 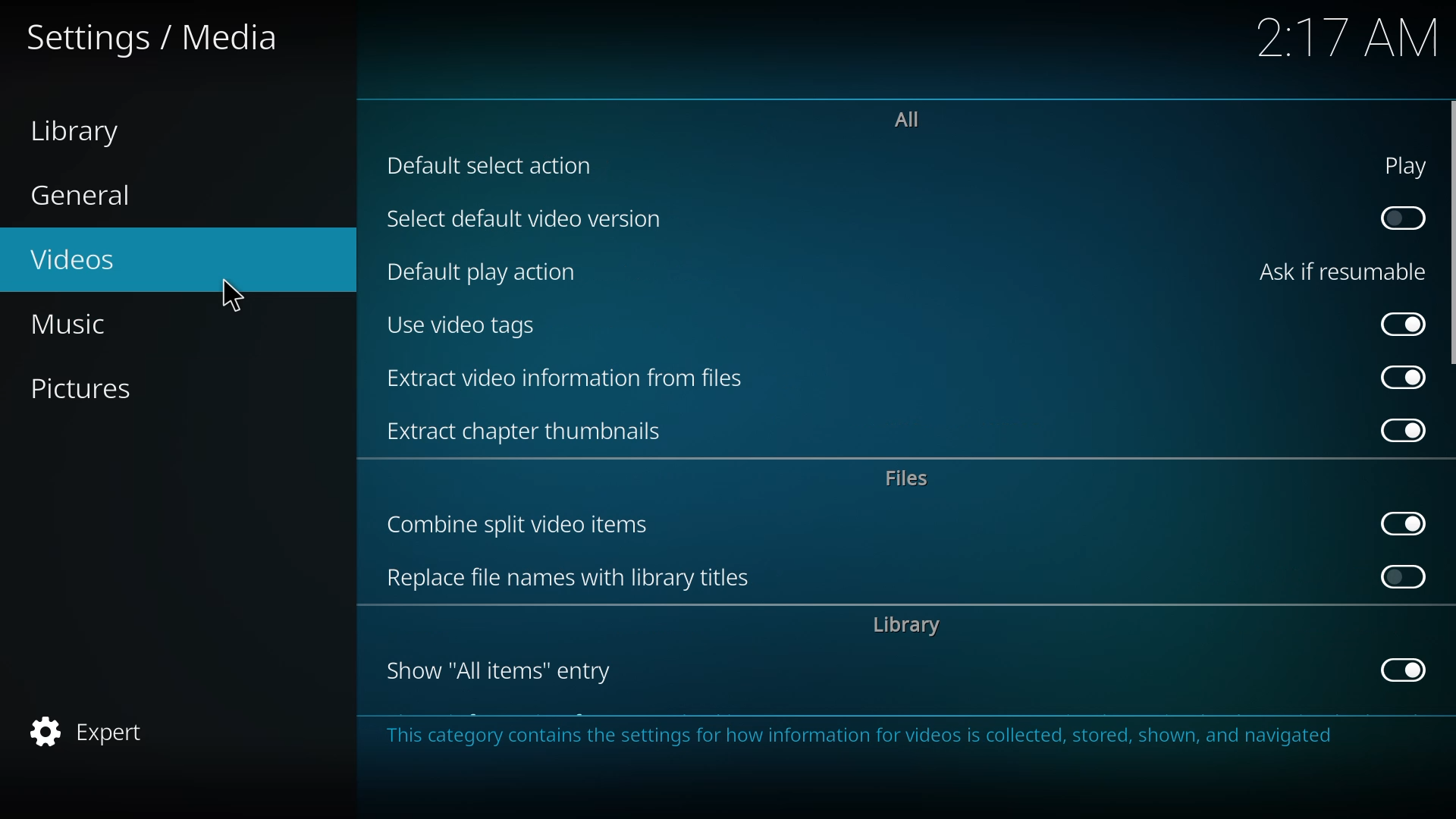 What do you see at coordinates (1348, 37) in the screenshot?
I see `time` at bounding box center [1348, 37].